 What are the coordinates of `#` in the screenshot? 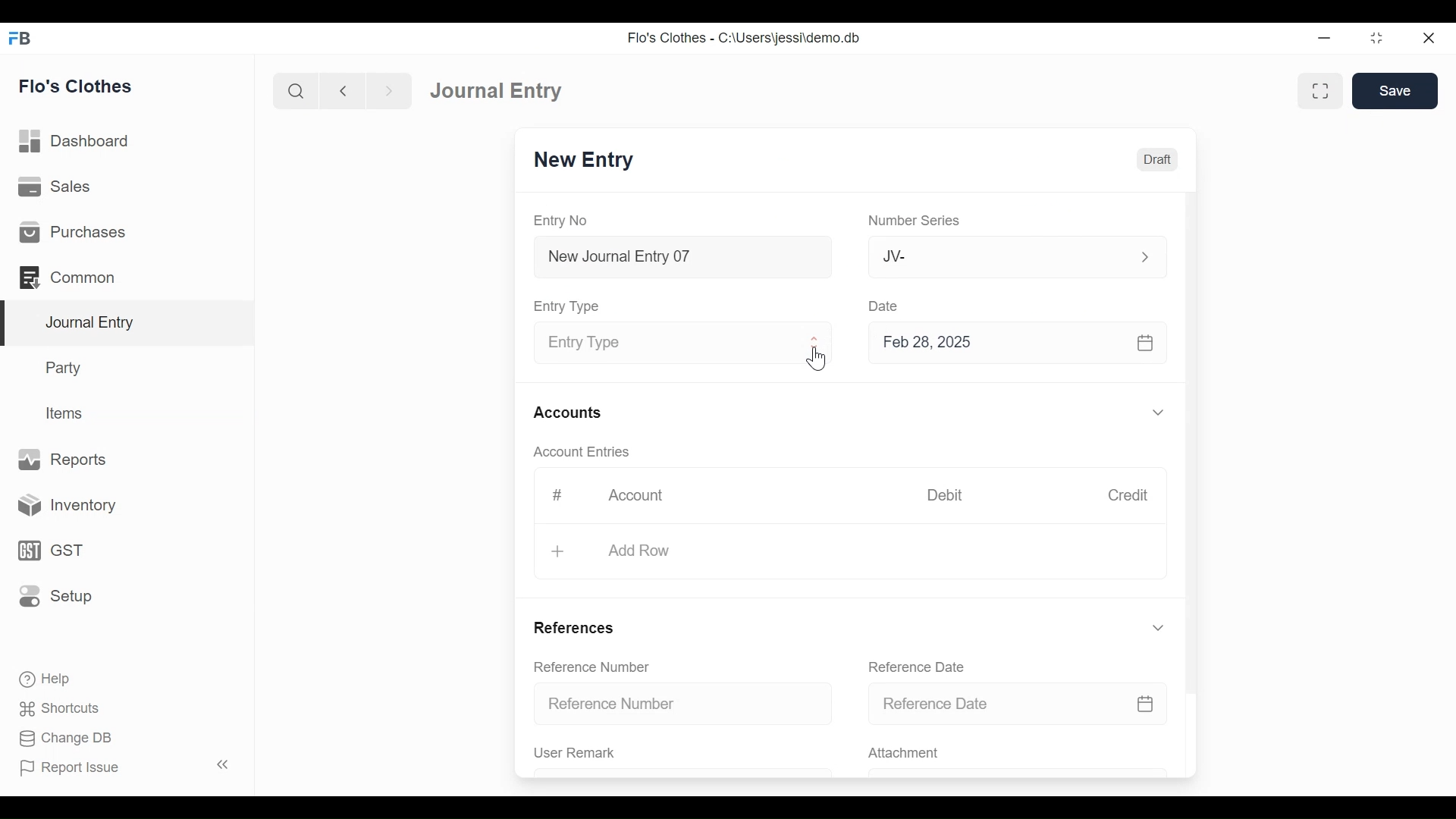 It's located at (558, 494).